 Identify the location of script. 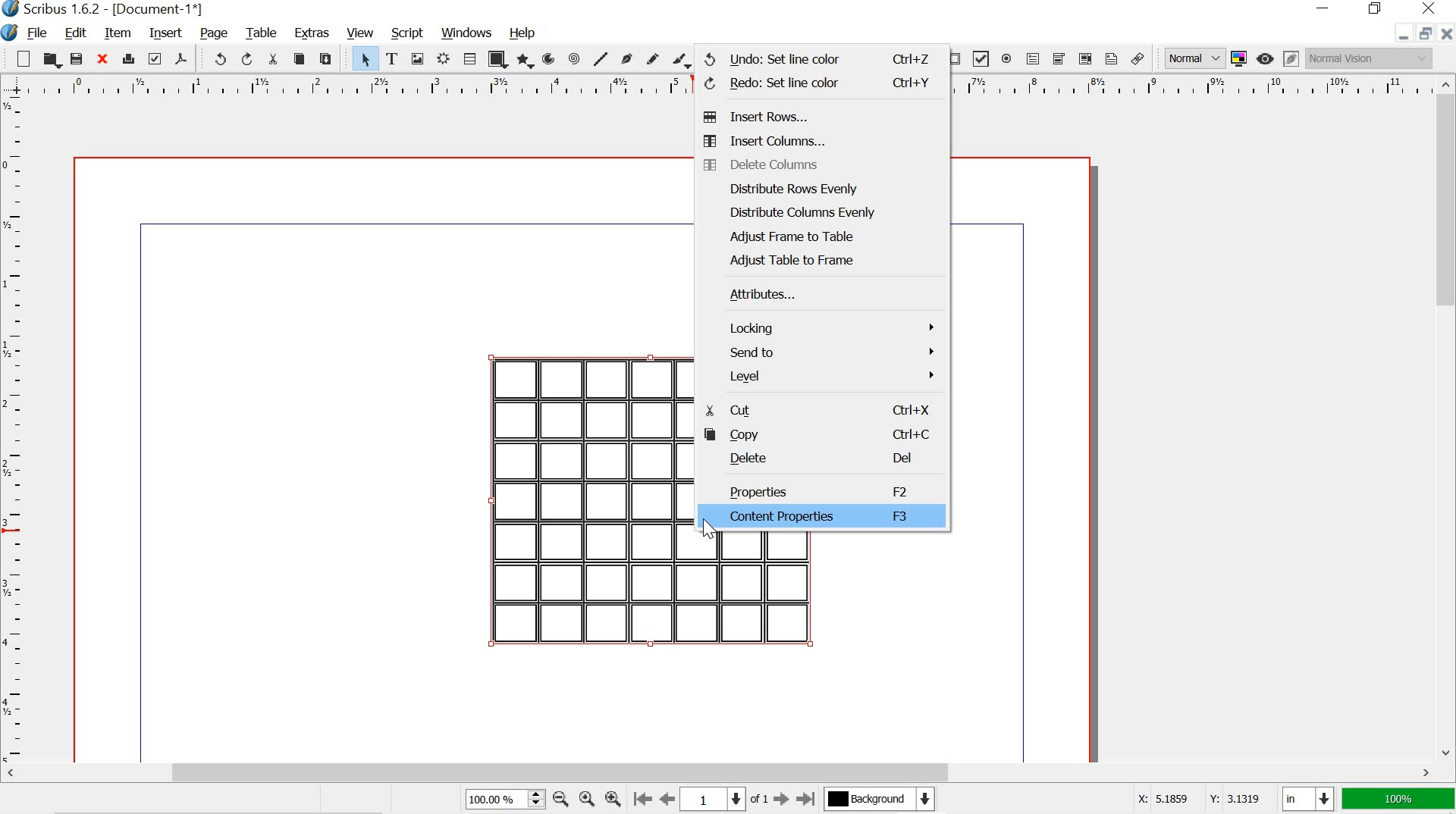
(408, 34).